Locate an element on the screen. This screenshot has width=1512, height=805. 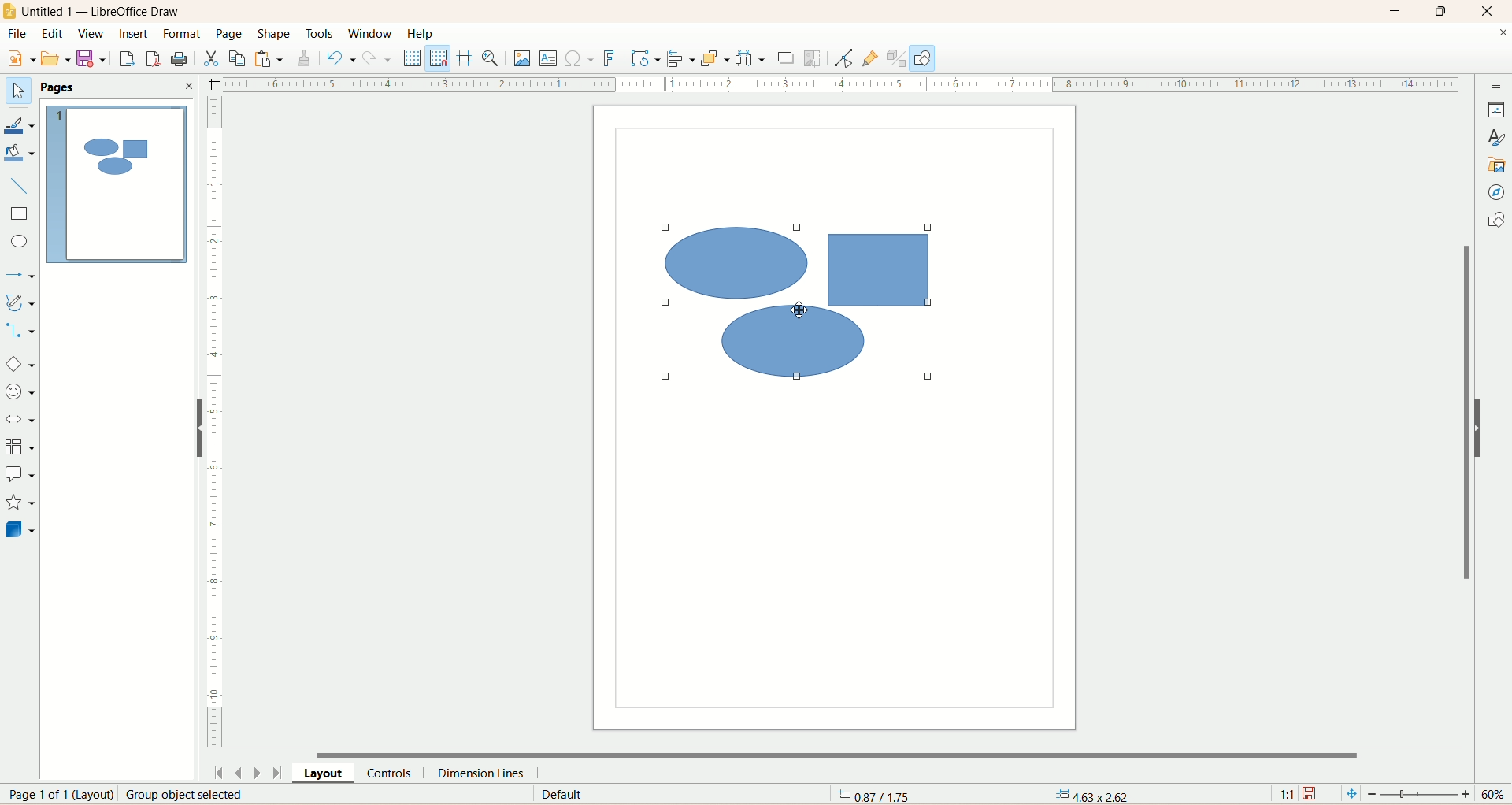
close is located at coordinates (1490, 12).